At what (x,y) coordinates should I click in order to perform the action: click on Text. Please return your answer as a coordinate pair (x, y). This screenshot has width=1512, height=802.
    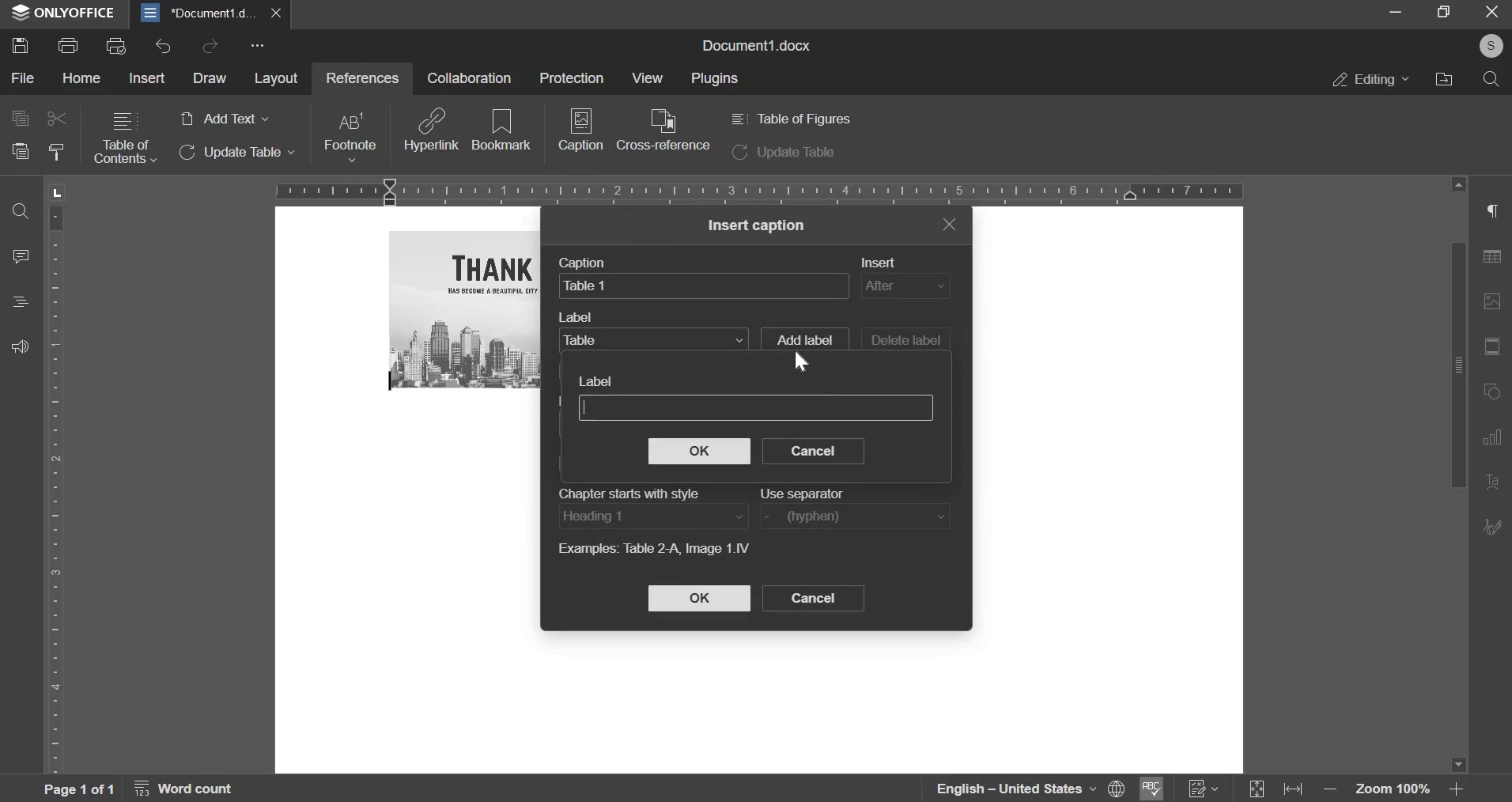
    Looking at the image, I should click on (1494, 483).